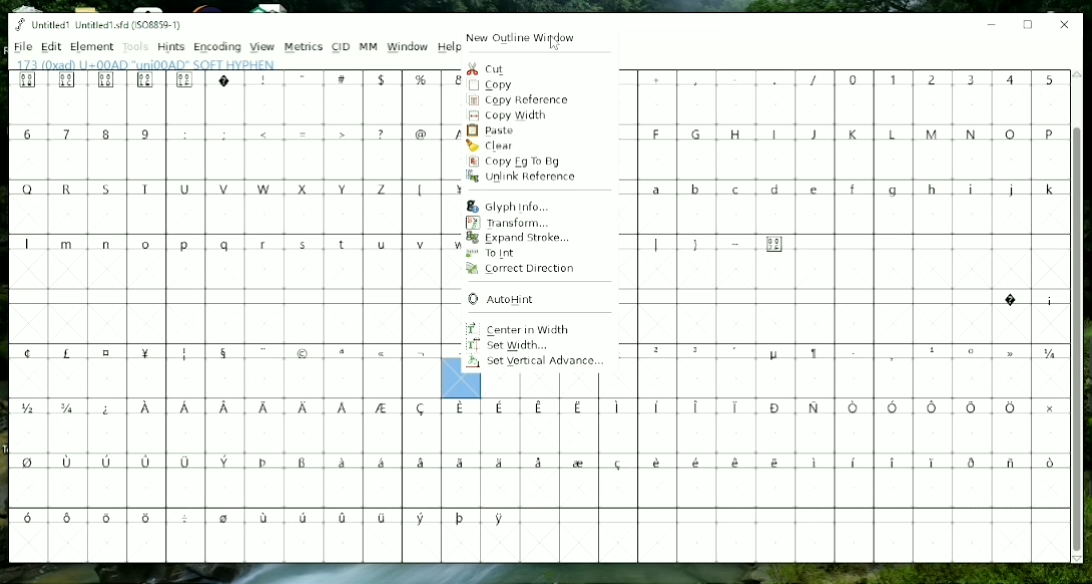 The width and height of the screenshot is (1092, 584). Describe the element at coordinates (229, 352) in the screenshot. I see `Symbols` at that location.